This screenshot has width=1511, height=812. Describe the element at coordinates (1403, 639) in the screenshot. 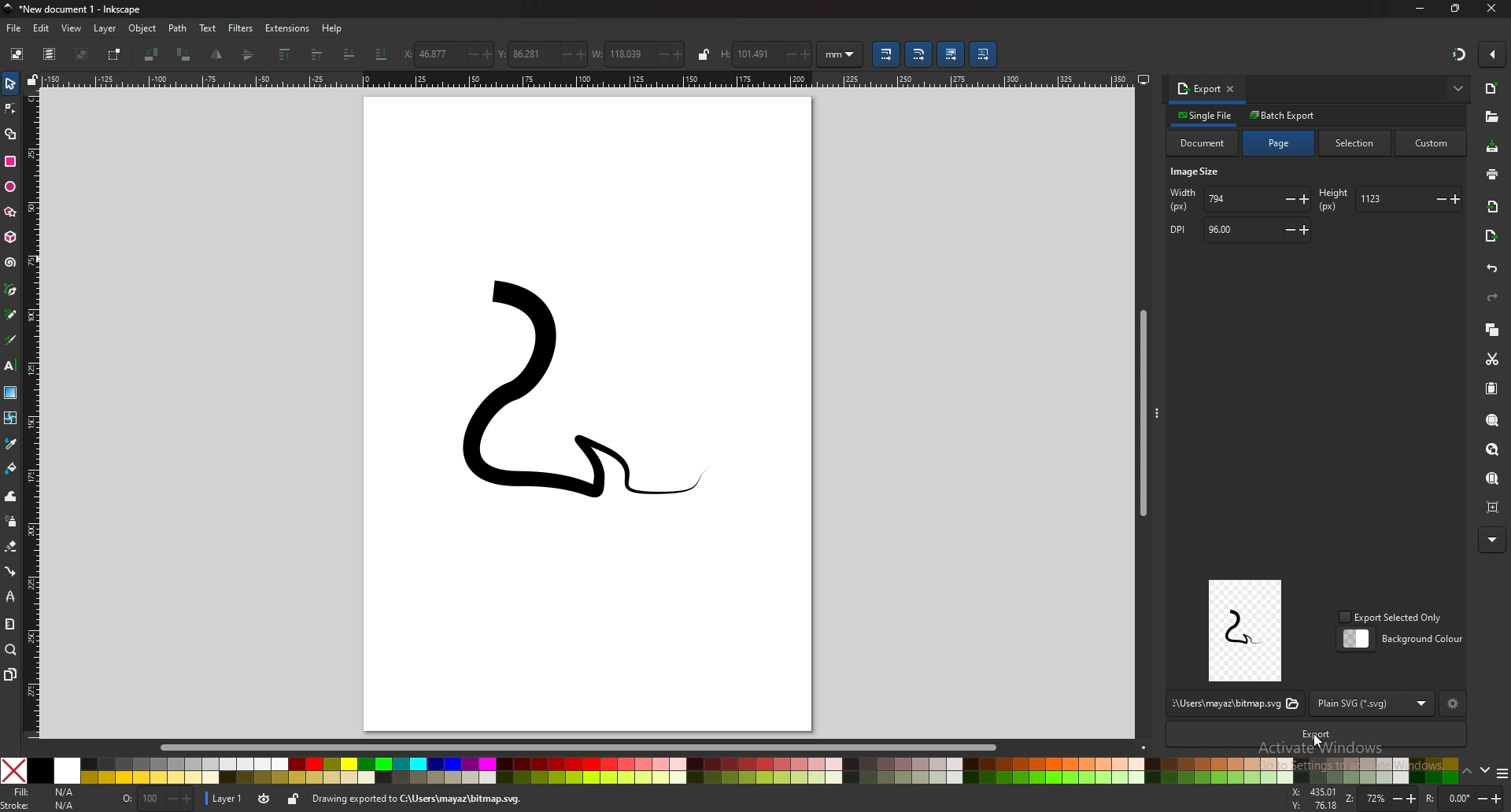

I see `background color` at that location.